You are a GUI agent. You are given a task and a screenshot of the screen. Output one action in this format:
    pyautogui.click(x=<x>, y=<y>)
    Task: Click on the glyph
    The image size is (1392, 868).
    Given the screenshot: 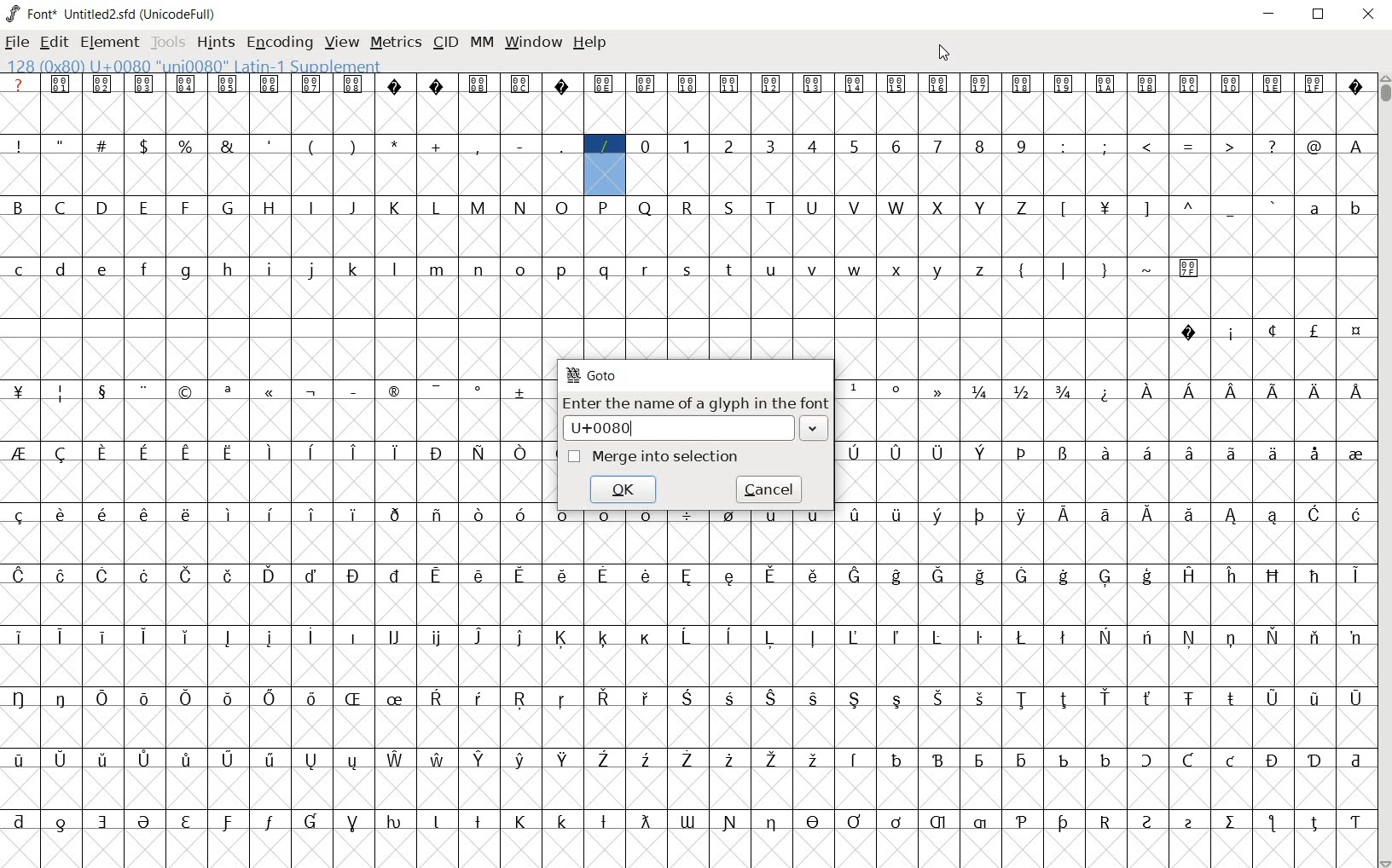 What is the action you would take?
    pyautogui.click(x=1314, y=576)
    